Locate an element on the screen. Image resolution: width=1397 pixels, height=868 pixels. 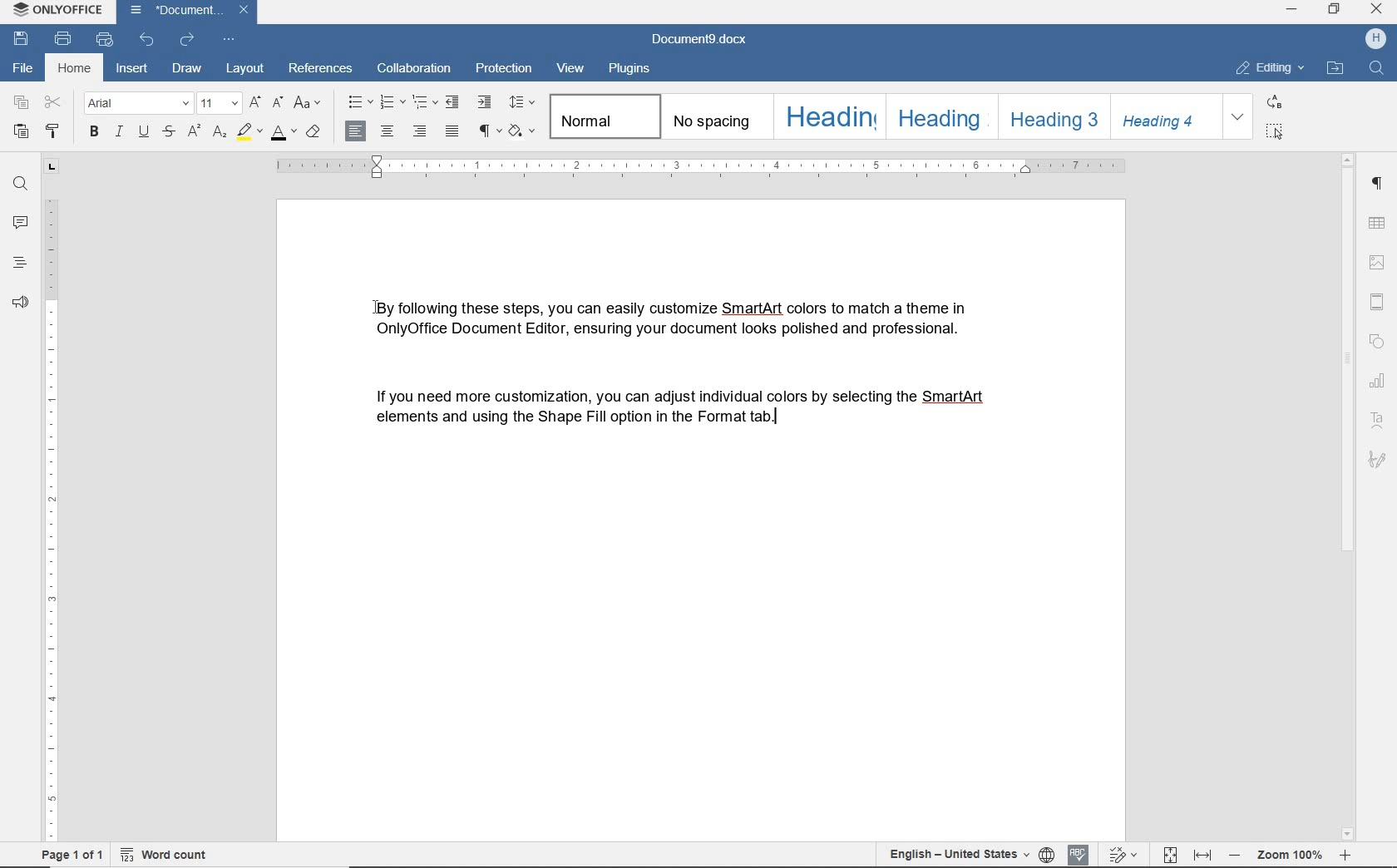
replace is located at coordinates (1272, 104).